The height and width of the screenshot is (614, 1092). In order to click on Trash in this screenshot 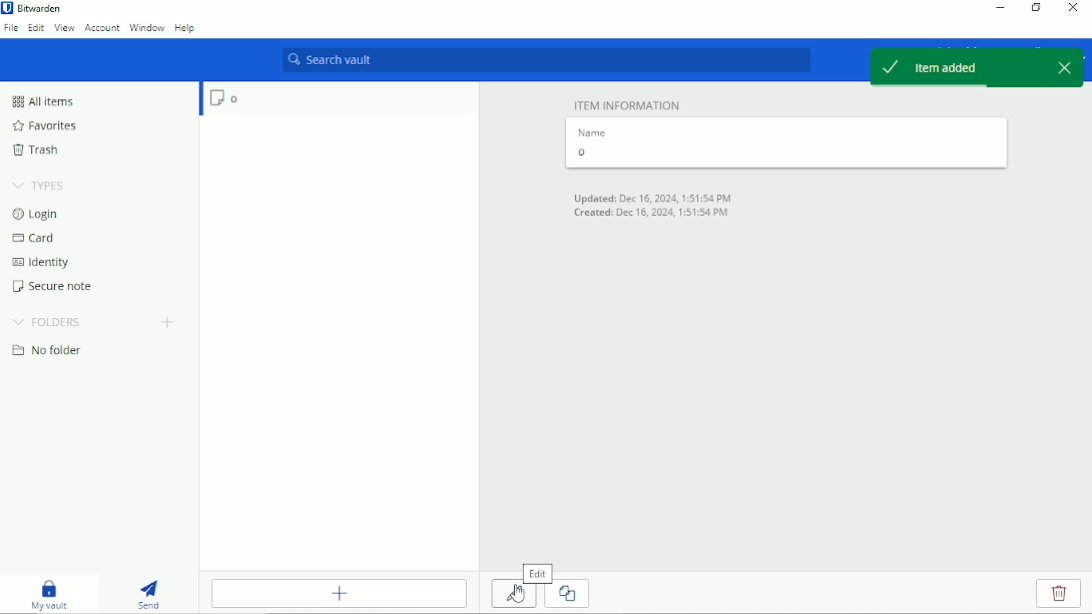, I will do `click(35, 149)`.